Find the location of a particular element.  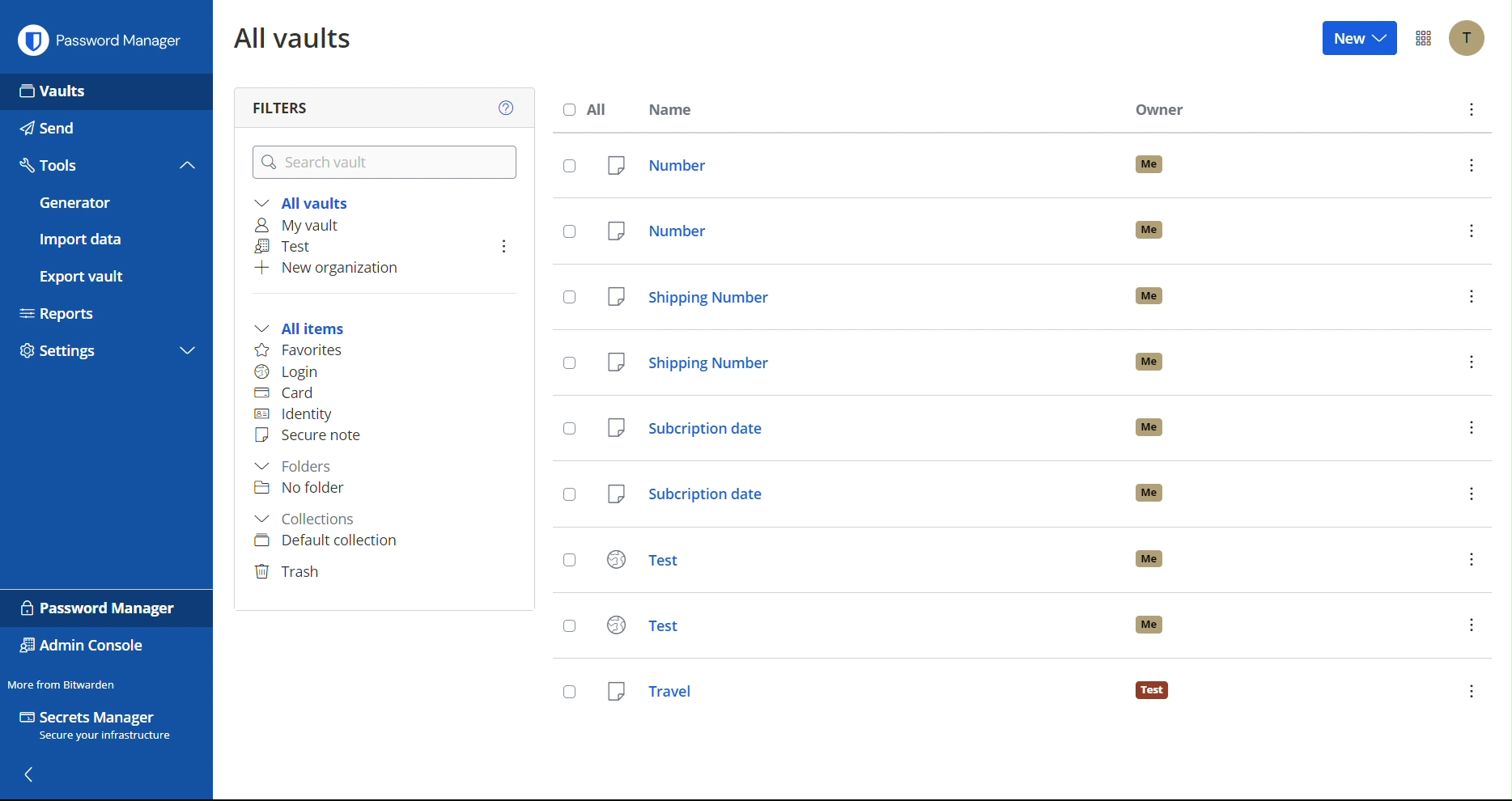

Name is located at coordinates (674, 108).